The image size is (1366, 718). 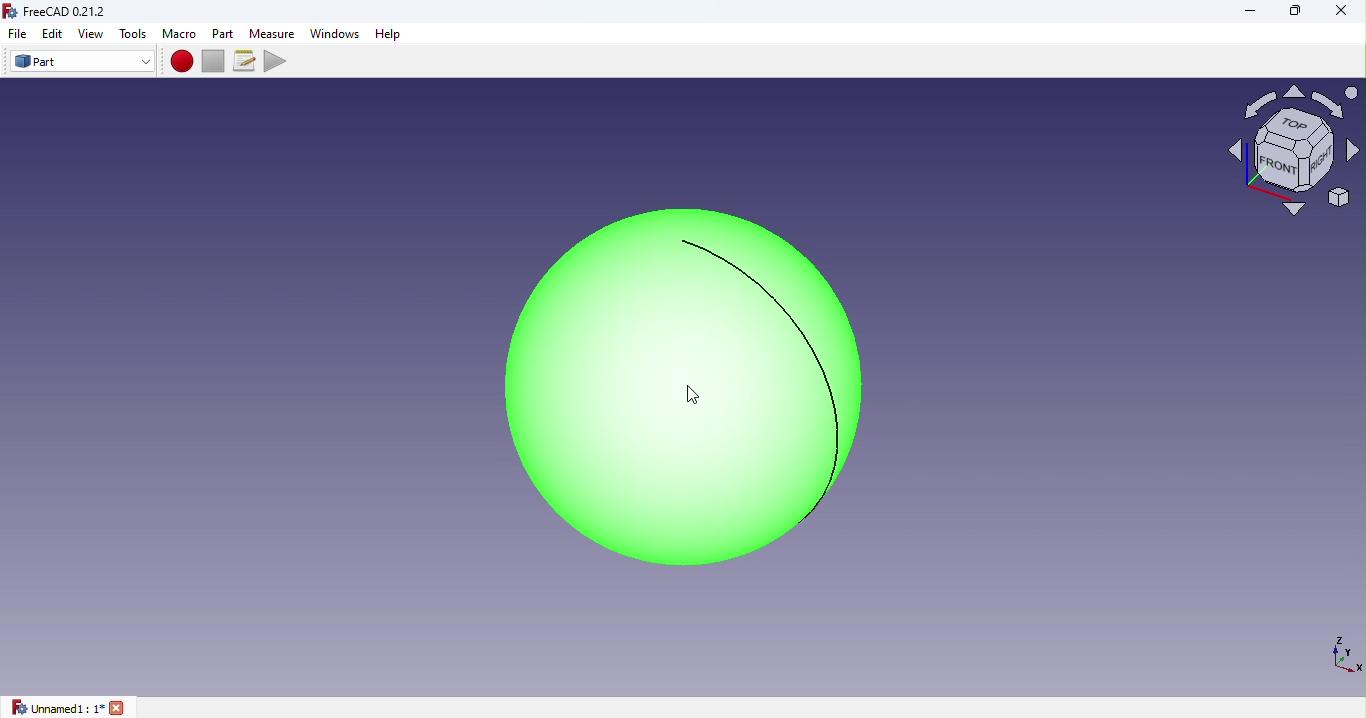 What do you see at coordinates (53, 33) in the screenshot?
I see `Edit` at bounding box center [53, 33].